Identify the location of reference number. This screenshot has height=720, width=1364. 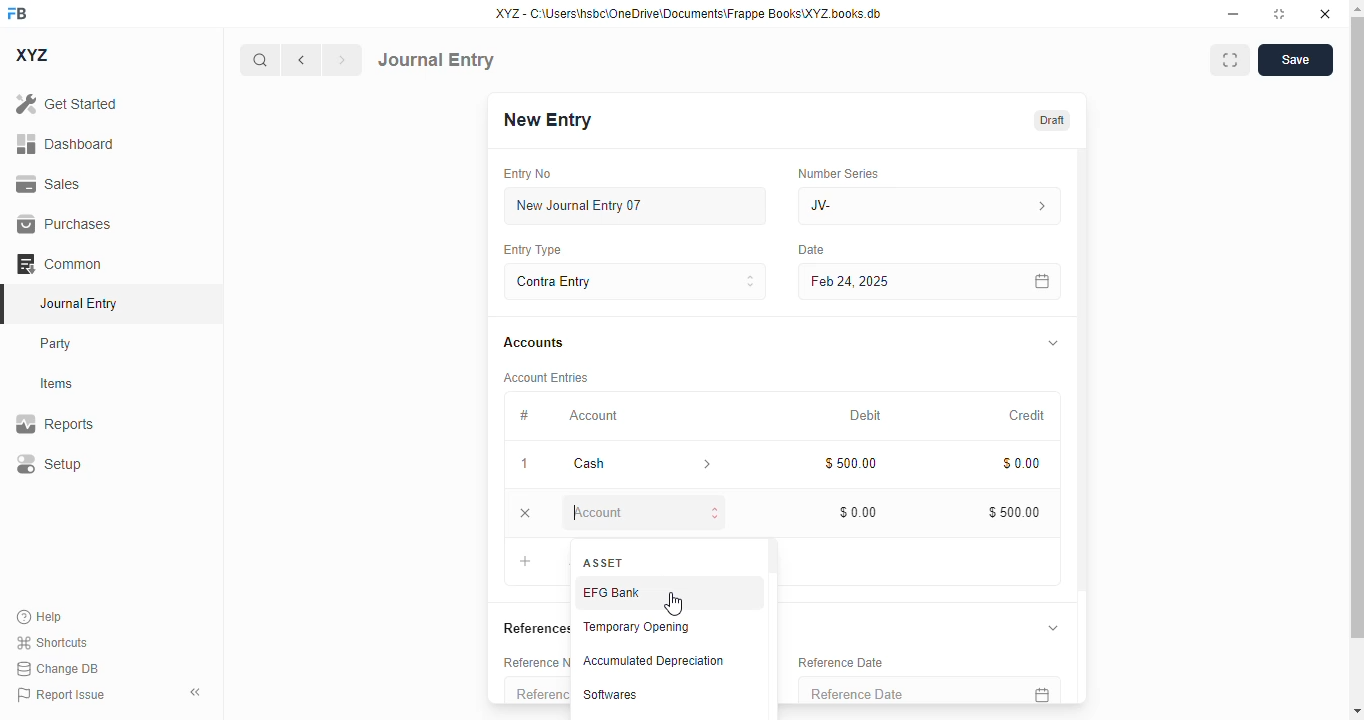
(537, 689).